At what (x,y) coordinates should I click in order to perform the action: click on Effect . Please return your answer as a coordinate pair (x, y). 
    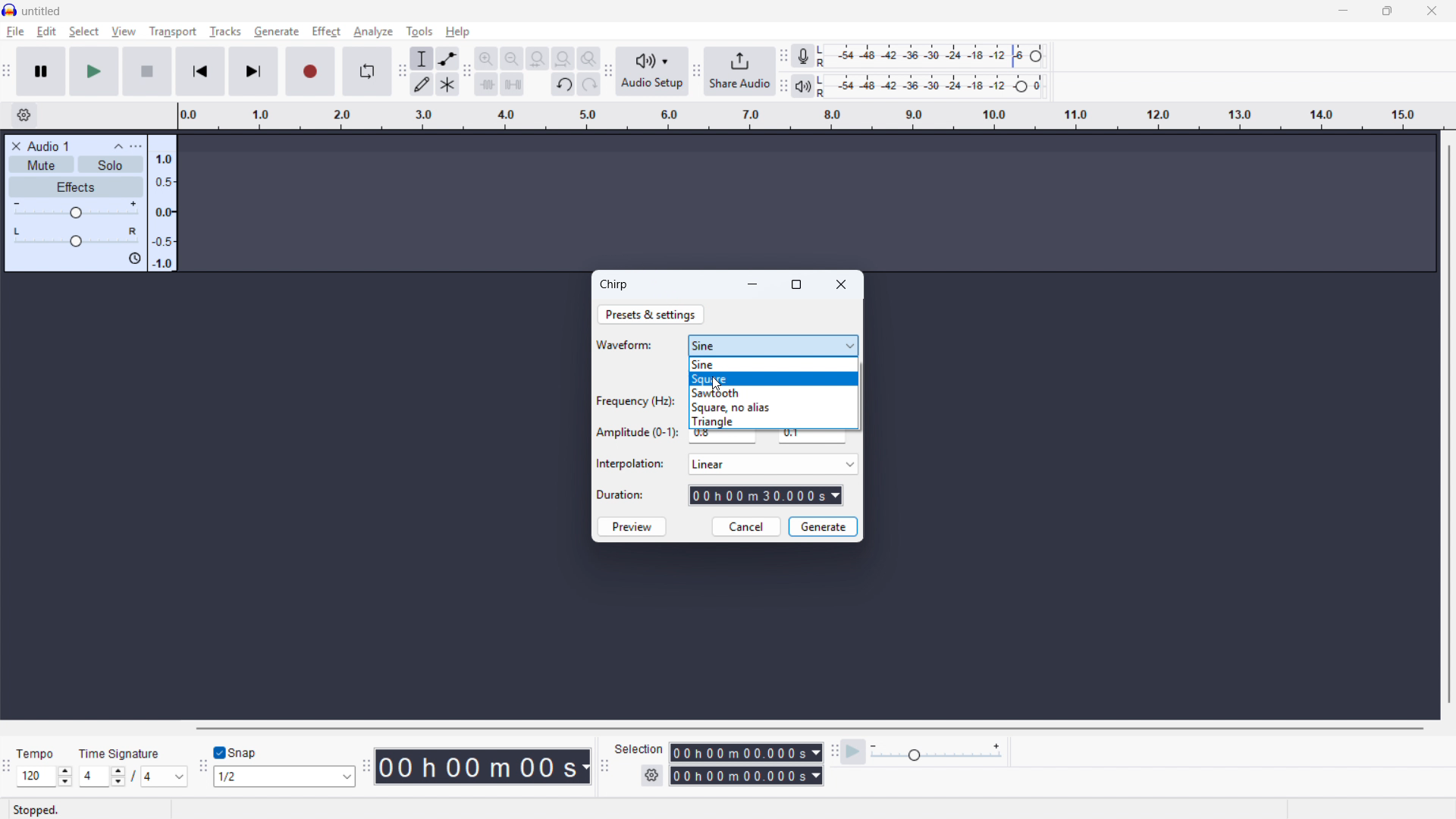
    Looking at the image, I should click on (325, 31).